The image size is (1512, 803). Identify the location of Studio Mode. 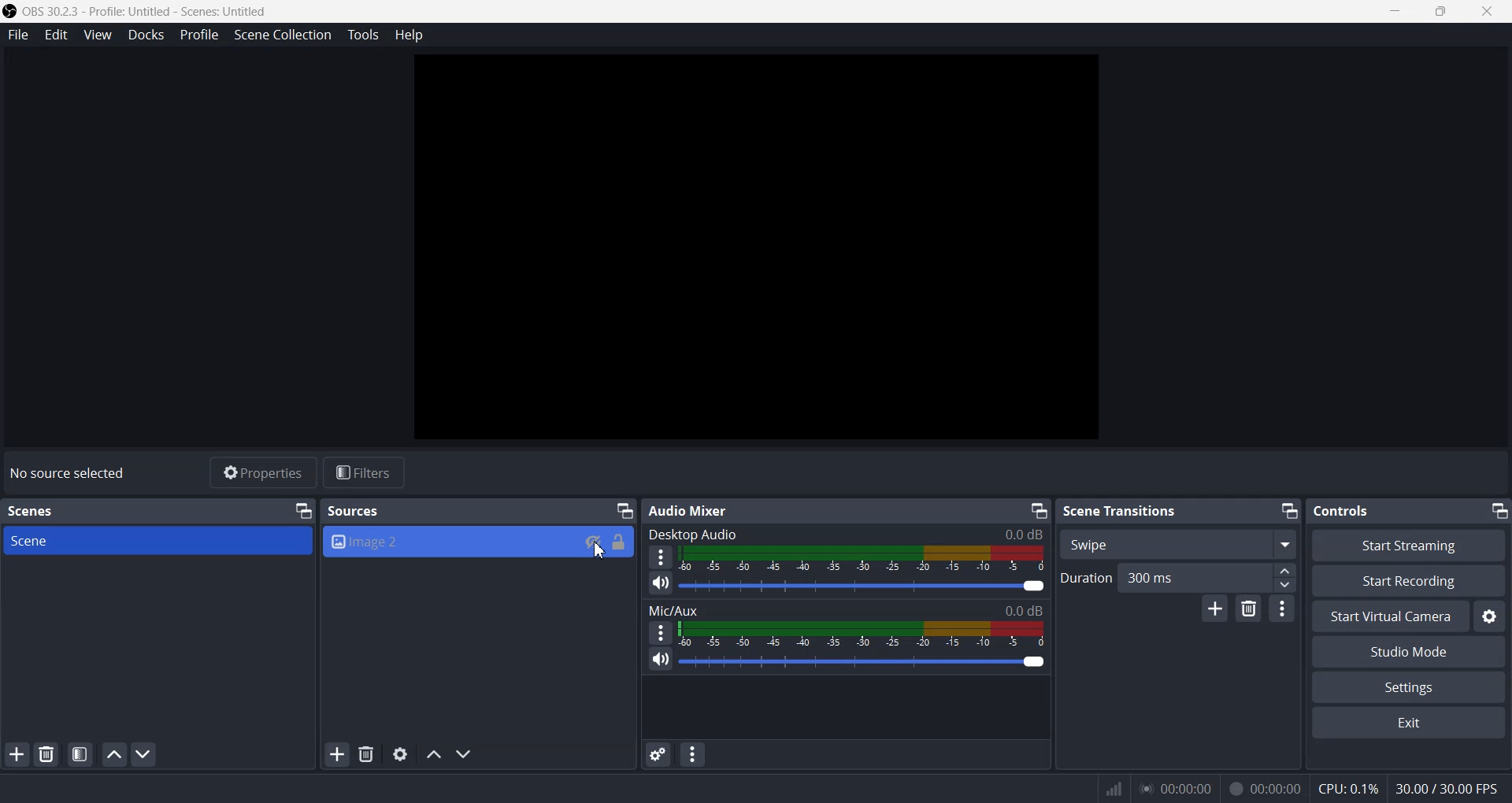
(1408, 652).